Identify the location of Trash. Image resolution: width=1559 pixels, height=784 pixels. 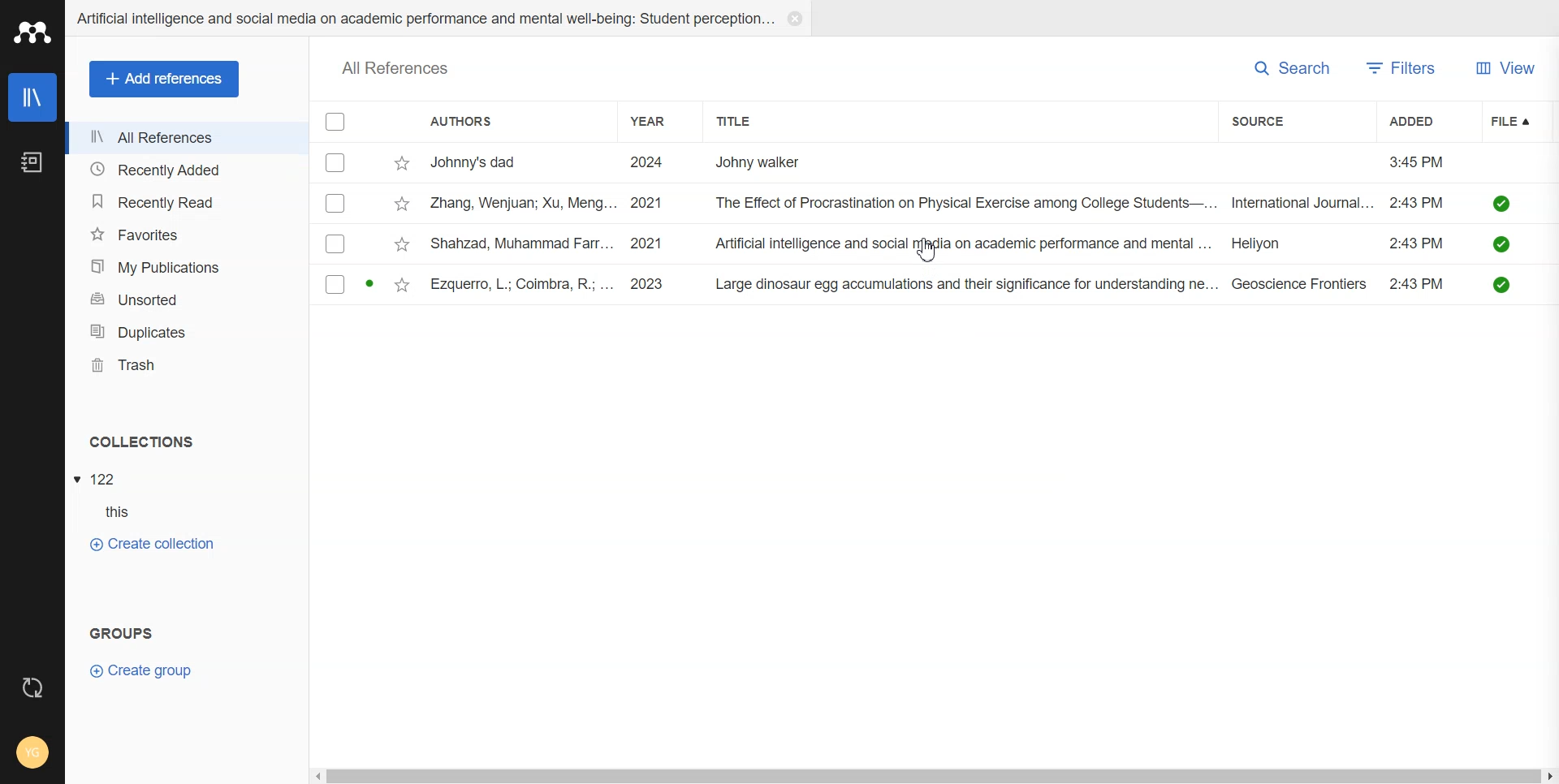
(187, 365).